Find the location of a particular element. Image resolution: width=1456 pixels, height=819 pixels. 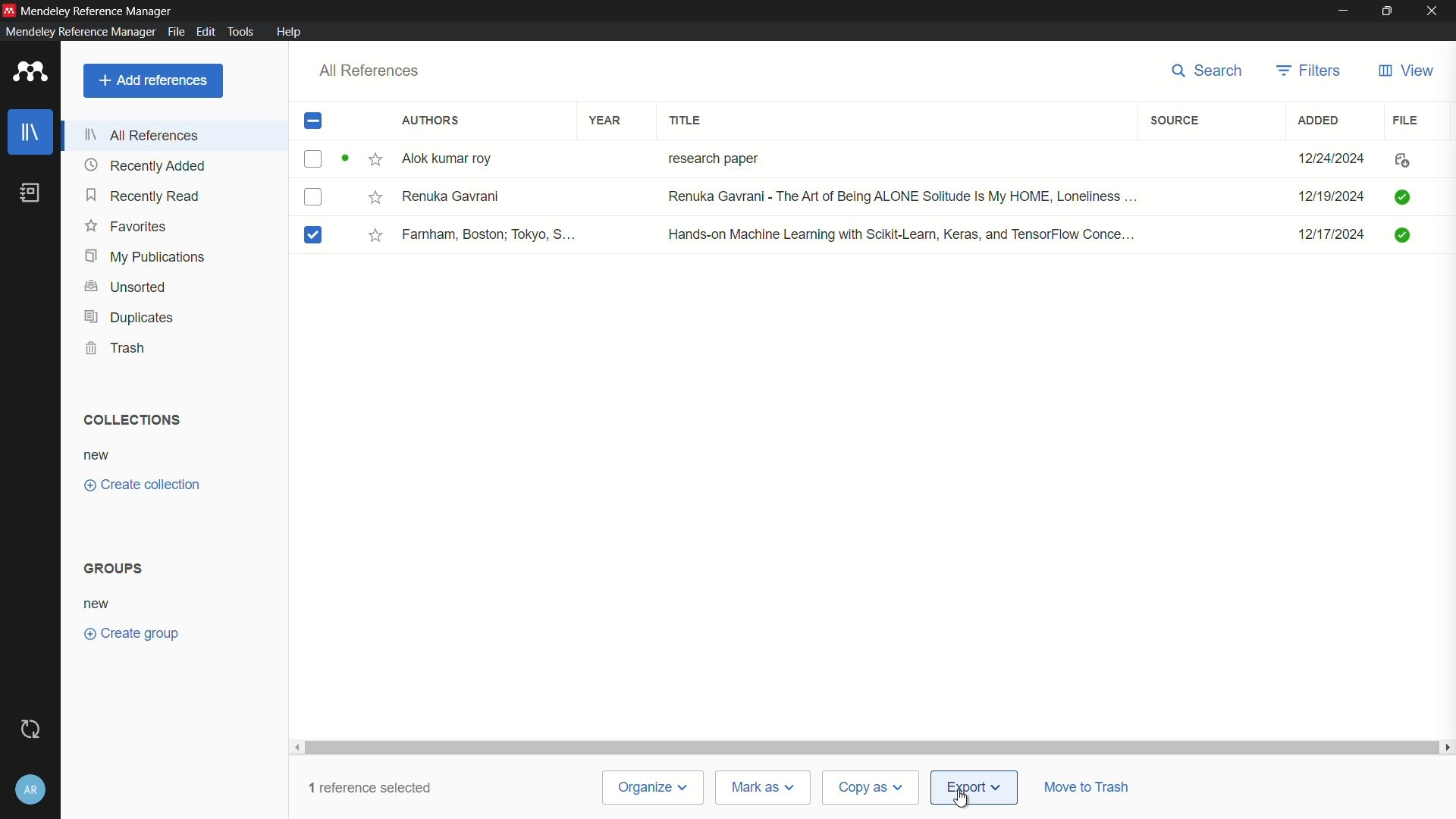

star is located at coordinates (375, 162).